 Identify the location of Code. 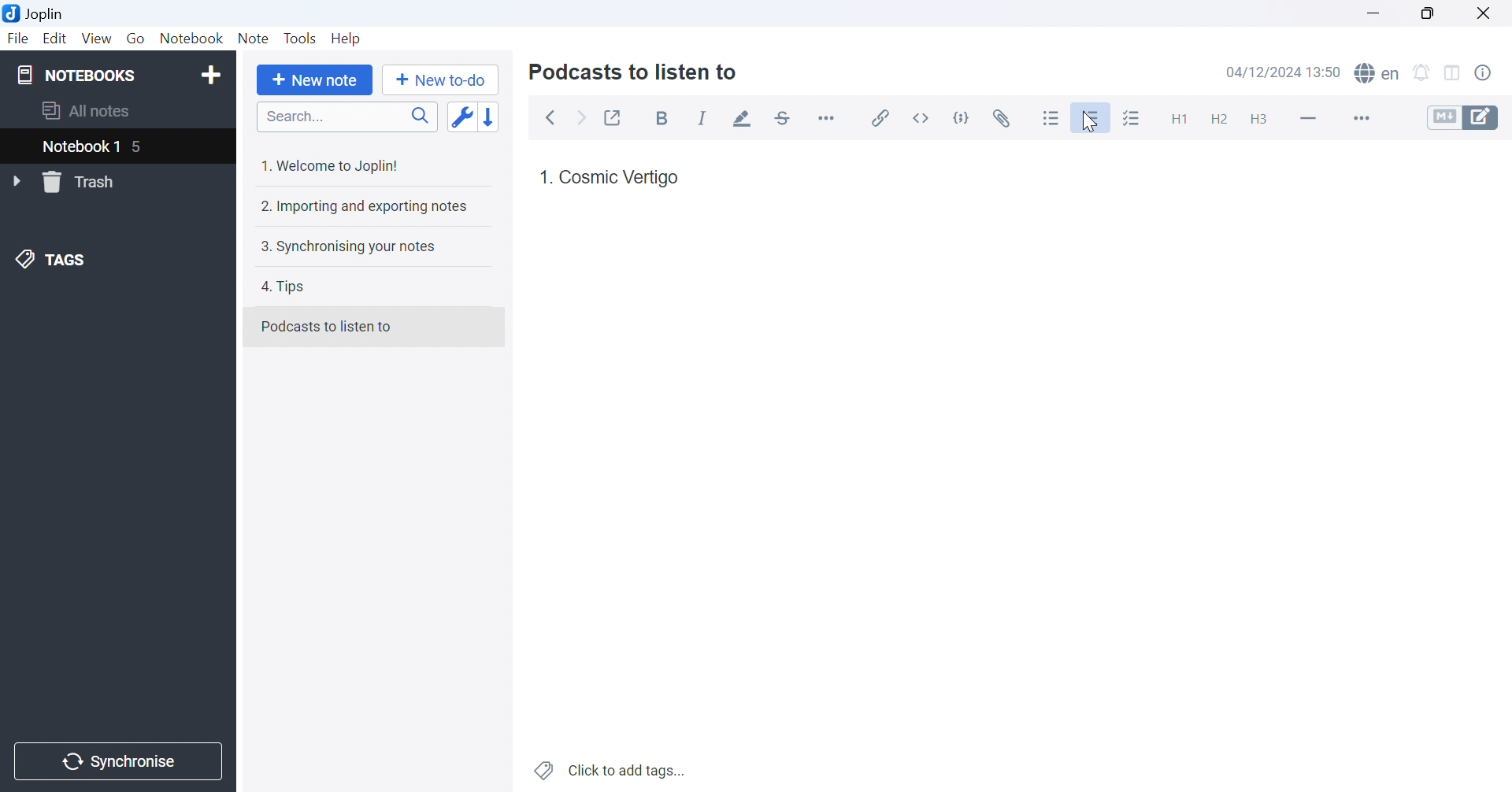
(965, 117).